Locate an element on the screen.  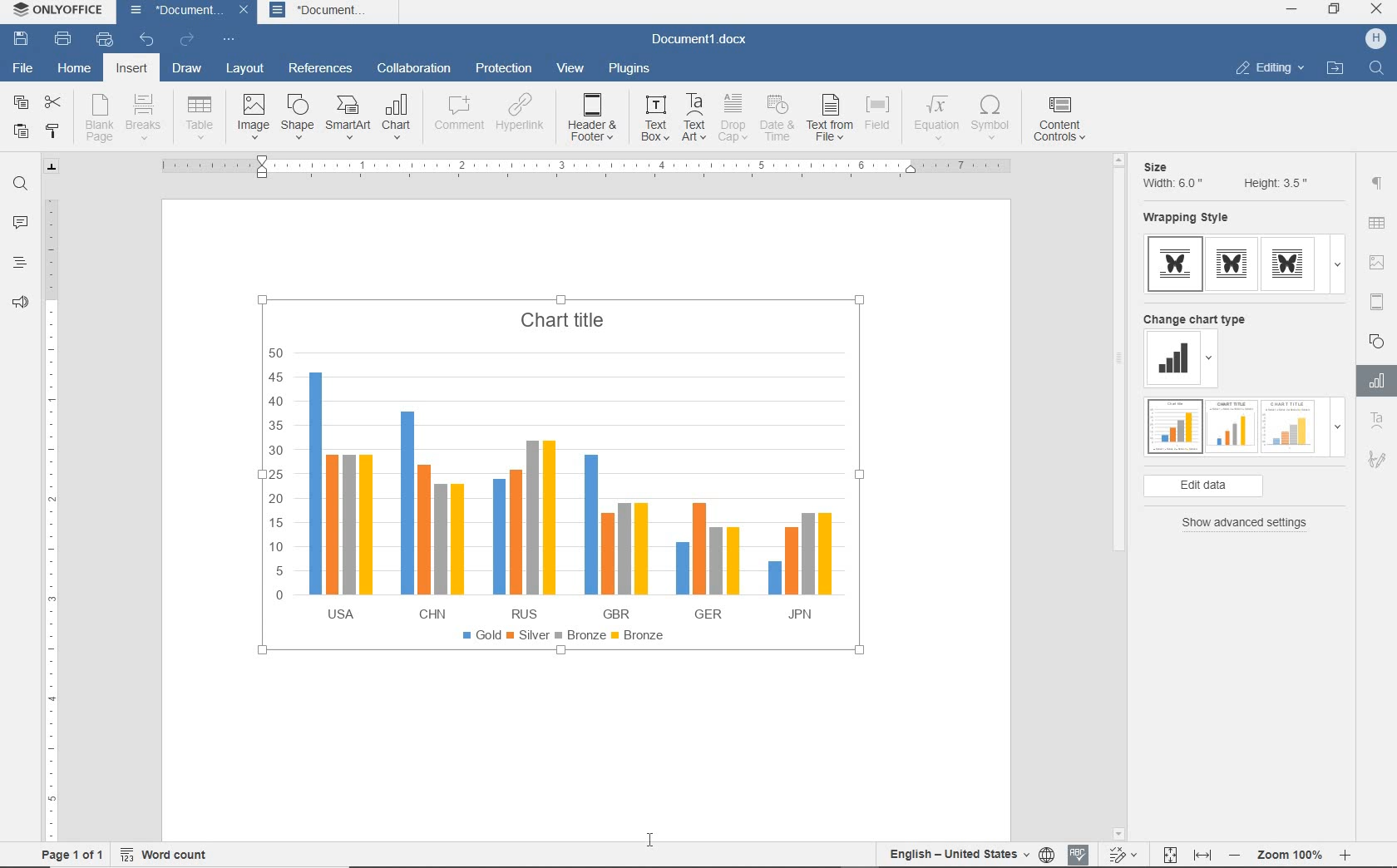
view is located at coordinates (572, 67).